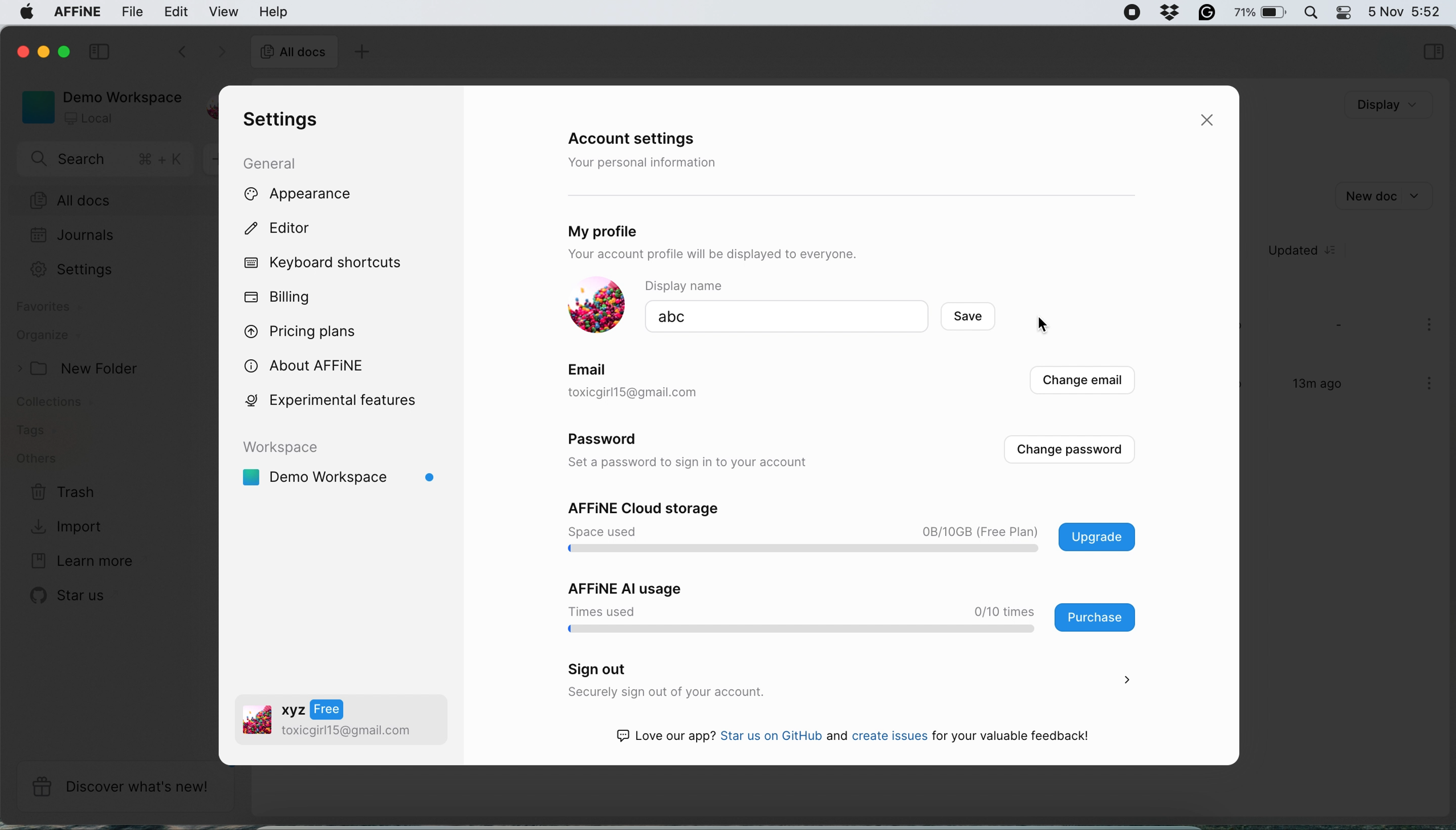 Image resolution: width=1456 pixels, height=830 pixels. What do you see at coordinates (46, 54) in the screenshot?
I see `minimise` at bounding box center [46, 54].